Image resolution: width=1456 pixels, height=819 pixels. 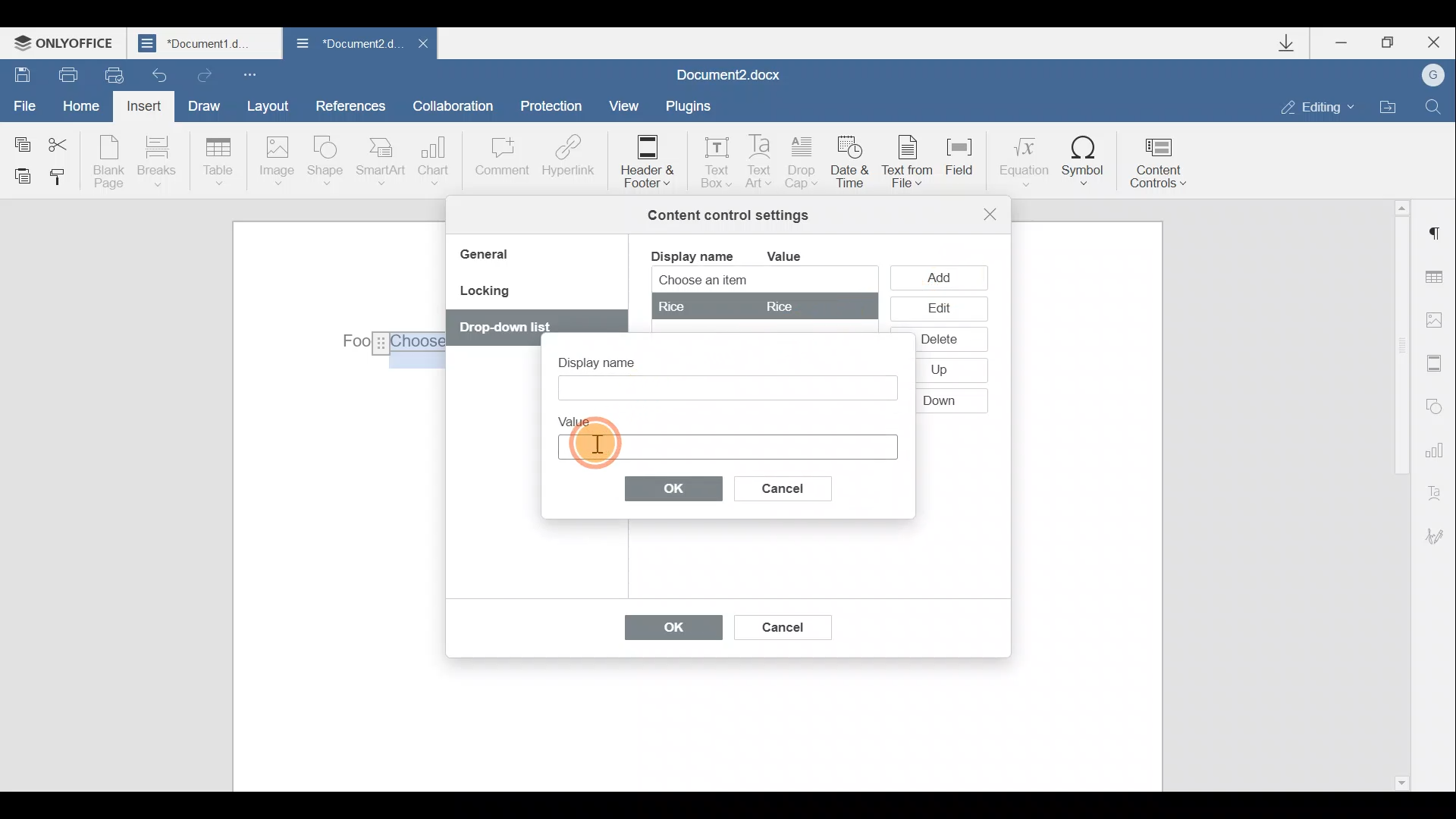 I want to click on Save, so click(x=17, y=73).